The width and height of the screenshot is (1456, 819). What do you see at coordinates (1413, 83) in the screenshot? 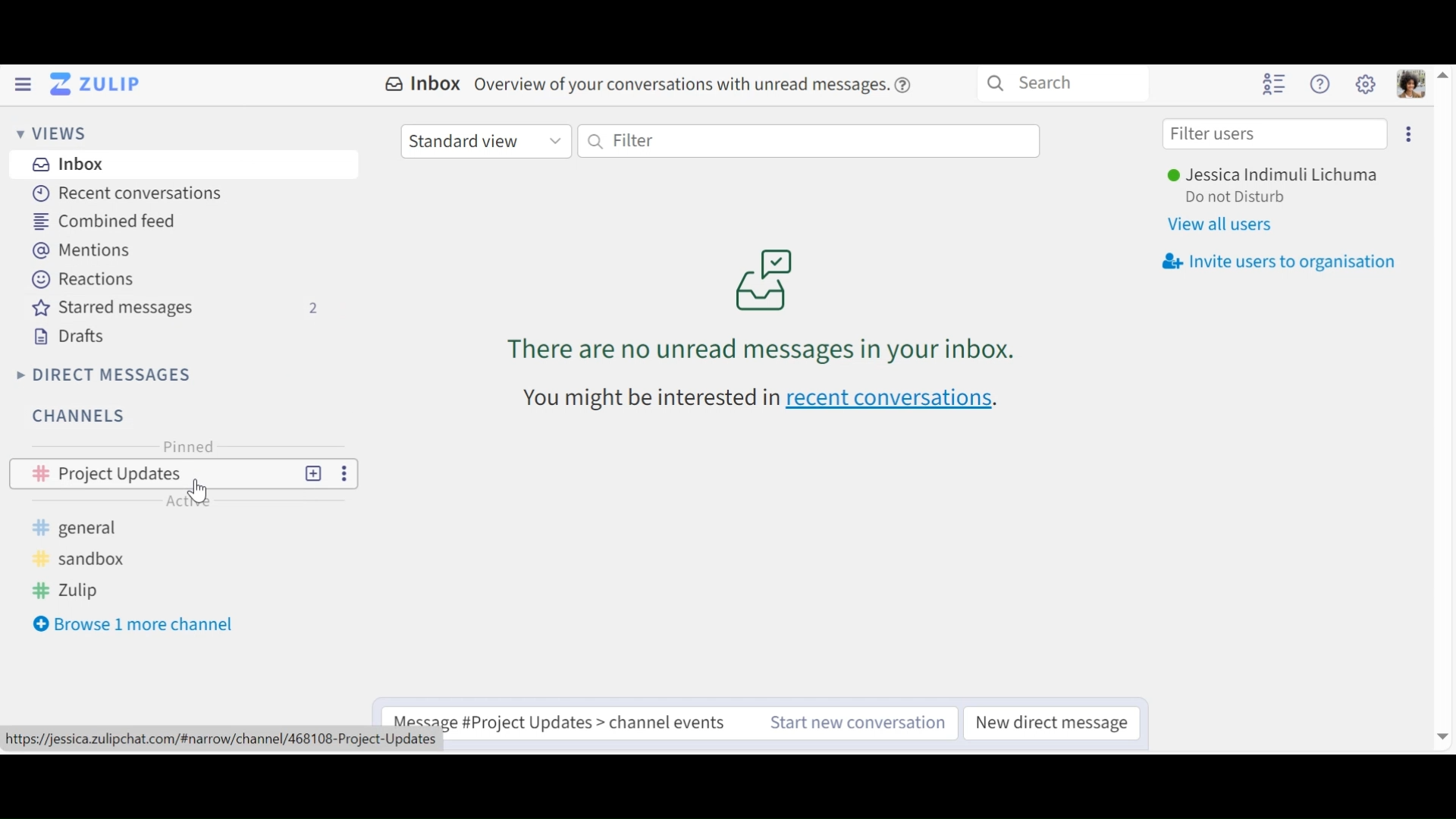
I see `Personal menu` at bounding box center [1413, 83].